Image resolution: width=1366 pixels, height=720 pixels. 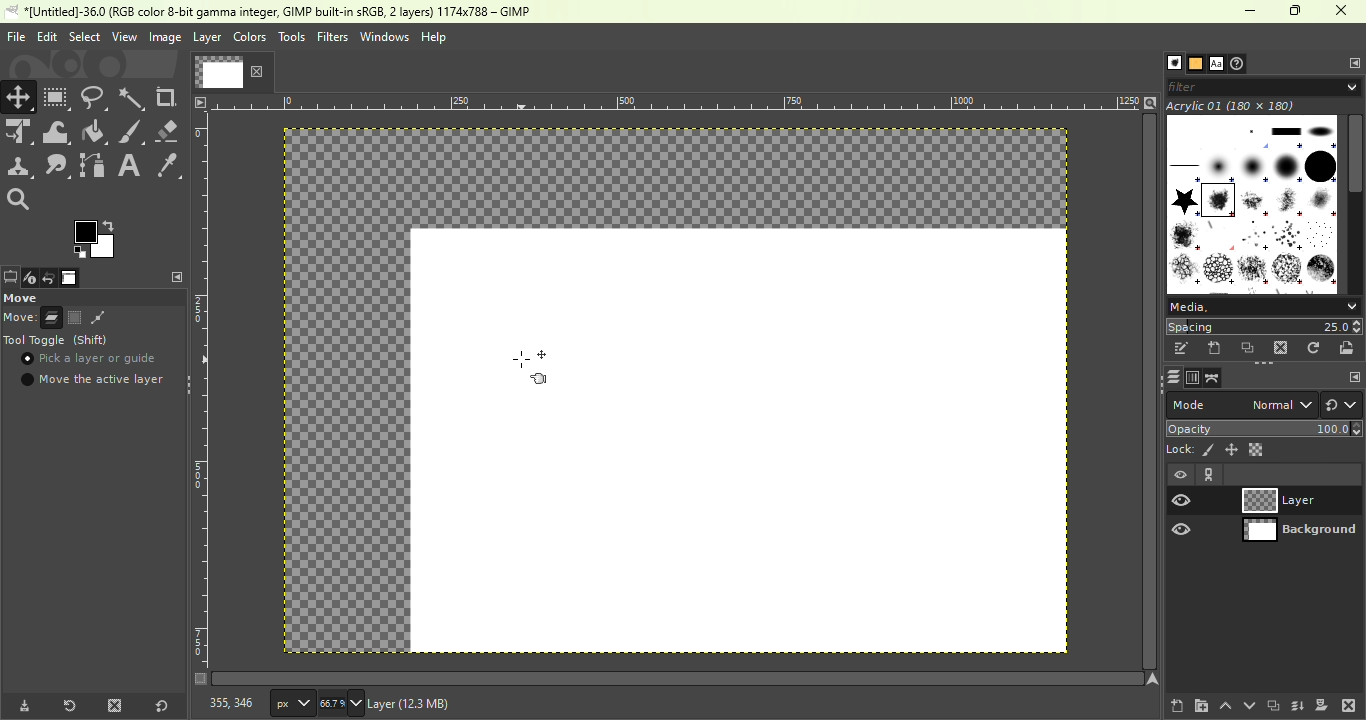 What do you see at coordinates (451, 706) in the screenshot?
I see `layer` at bounding box center [451, 706].